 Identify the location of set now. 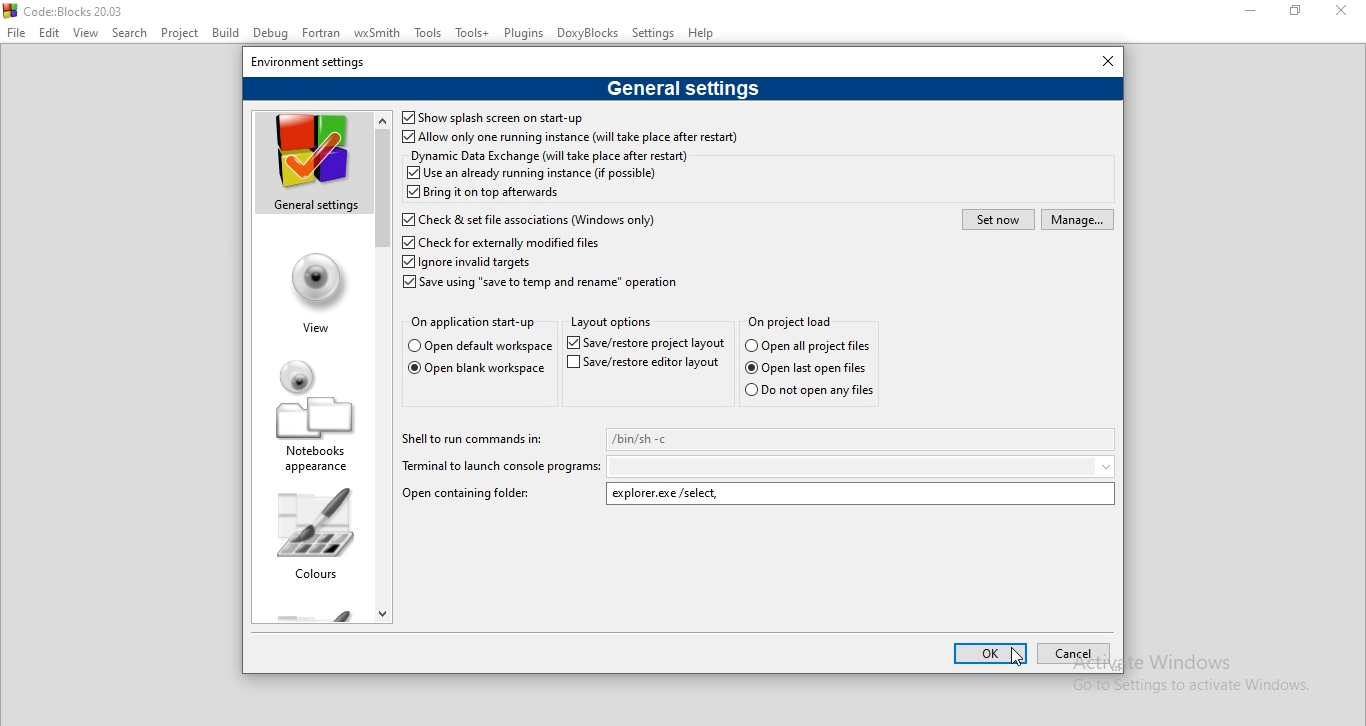
(997, 219).